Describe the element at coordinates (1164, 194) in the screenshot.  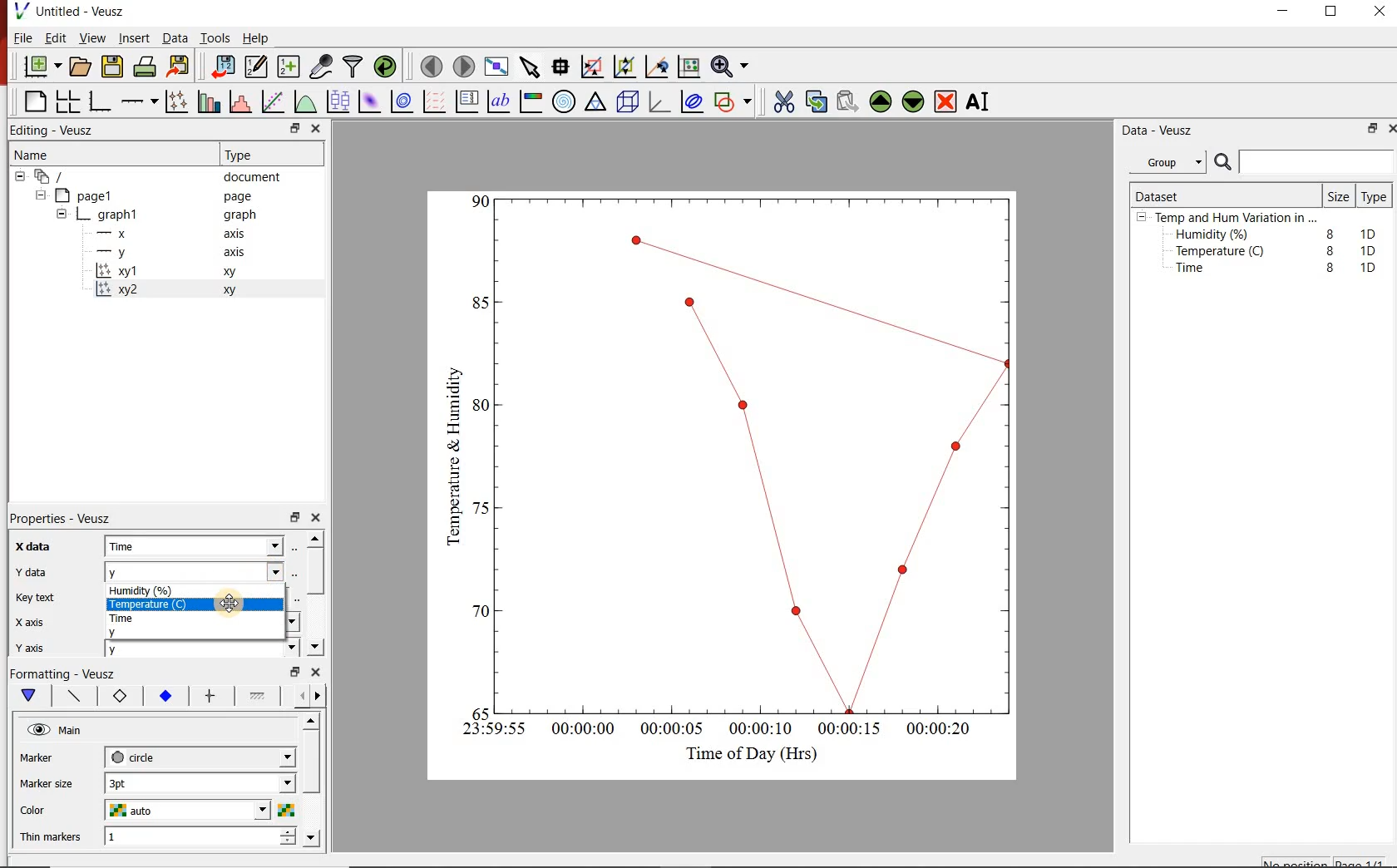
I see `Dataset` at that location.